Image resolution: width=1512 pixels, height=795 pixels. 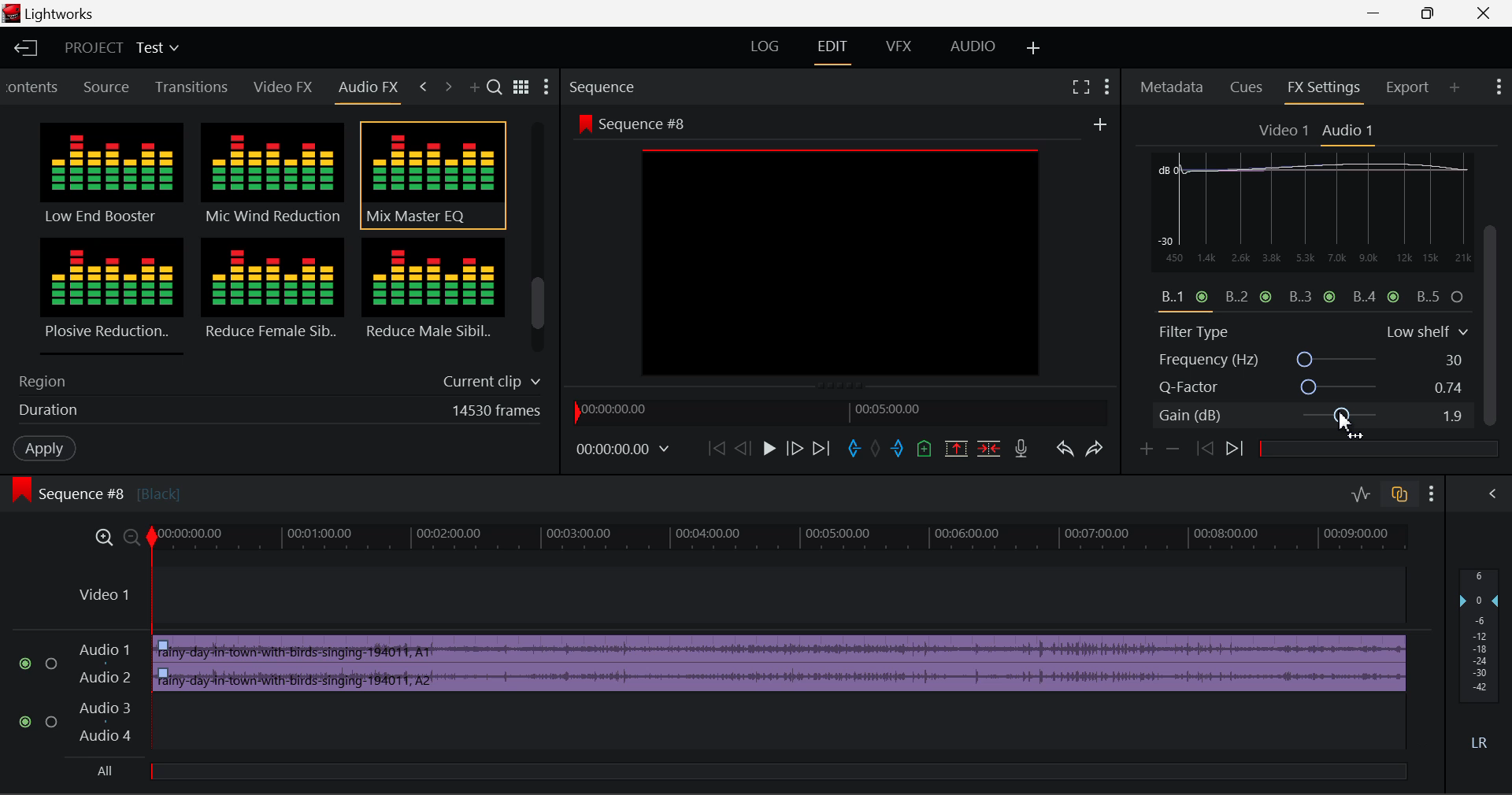 What do you see at coordinates (113, 770) in the screenshot?
I see `All` at bounding box center [113, 770].